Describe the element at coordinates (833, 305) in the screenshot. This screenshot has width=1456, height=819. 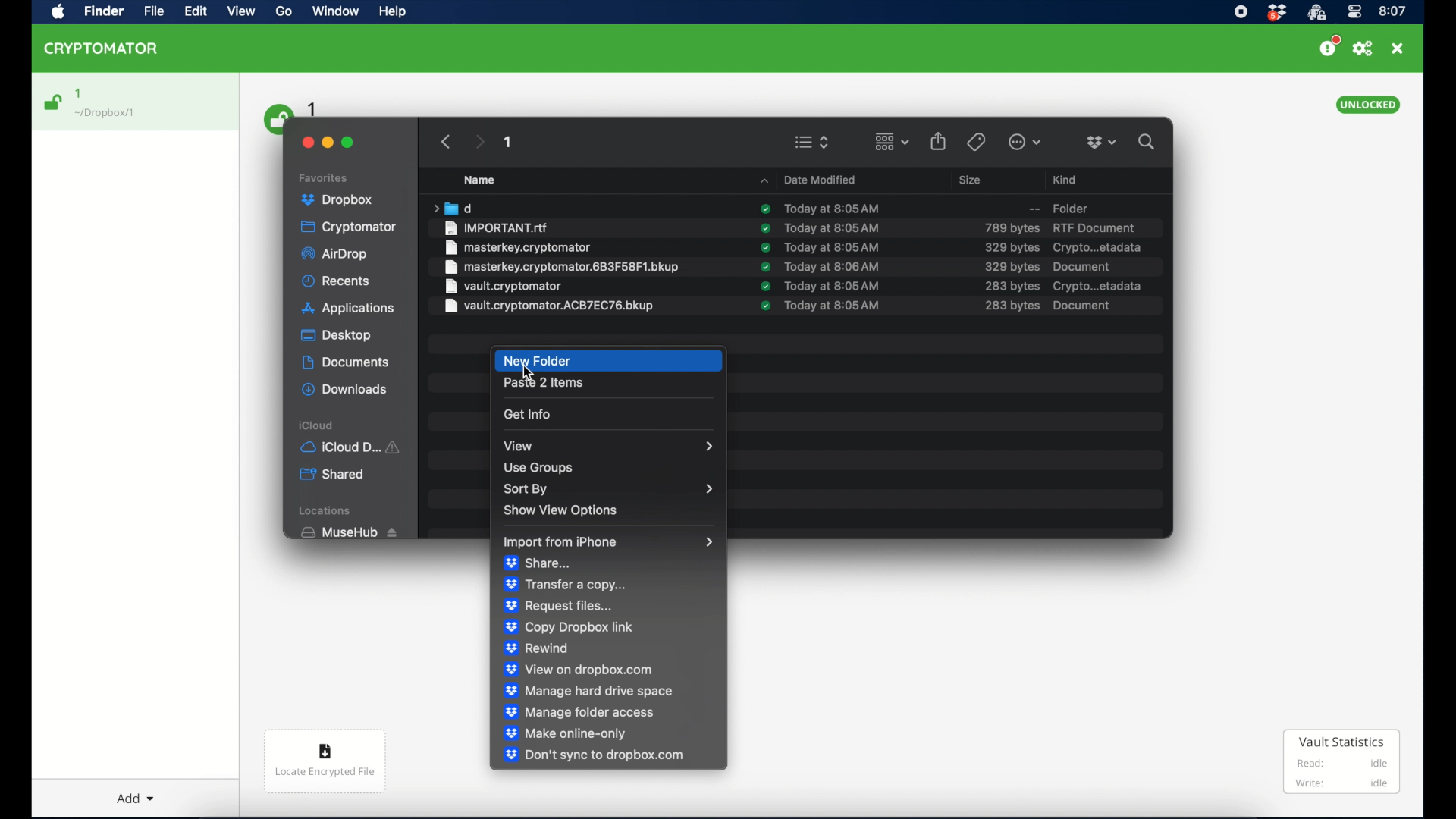
I see `date` at that location.